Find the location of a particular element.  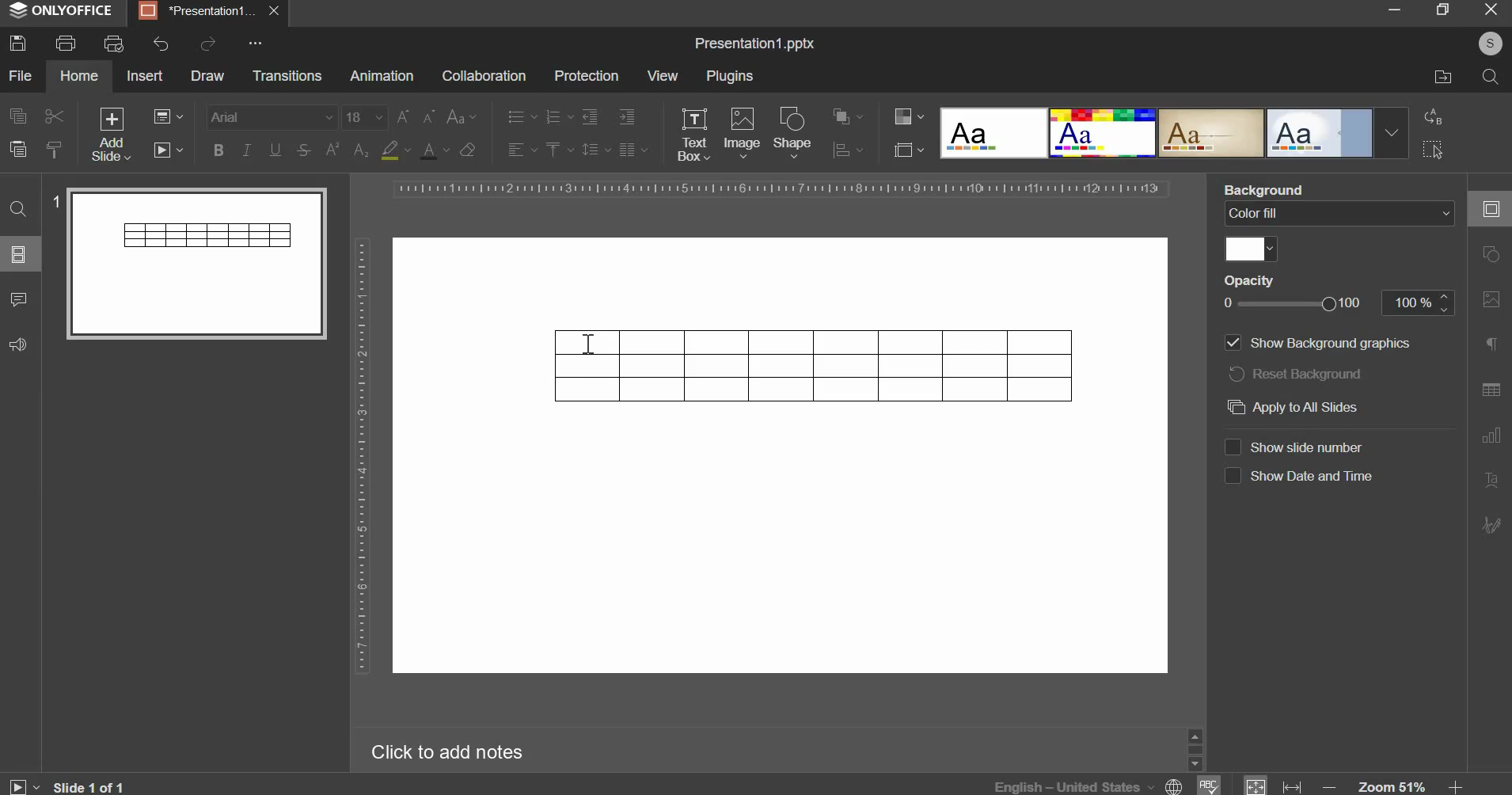

search is located at coordinates (1489, 77).